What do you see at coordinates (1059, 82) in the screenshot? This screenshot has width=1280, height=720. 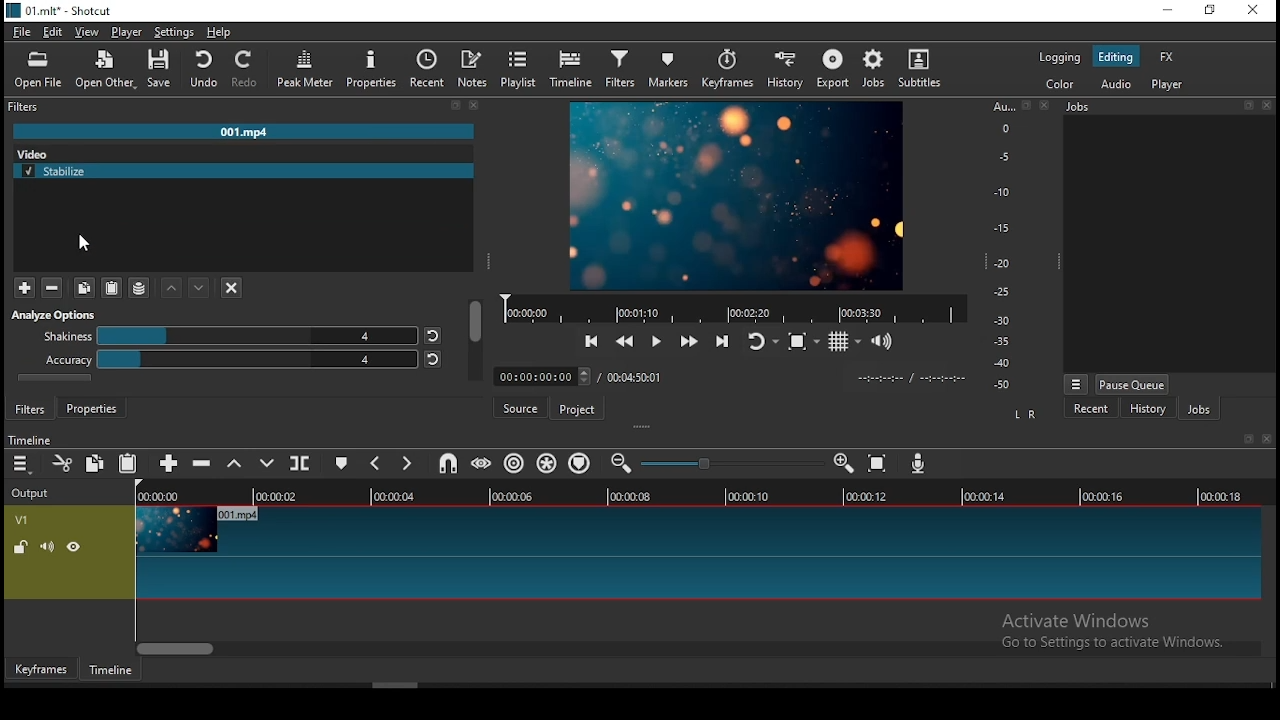 I see `color` at bounding box center [1059, 82].